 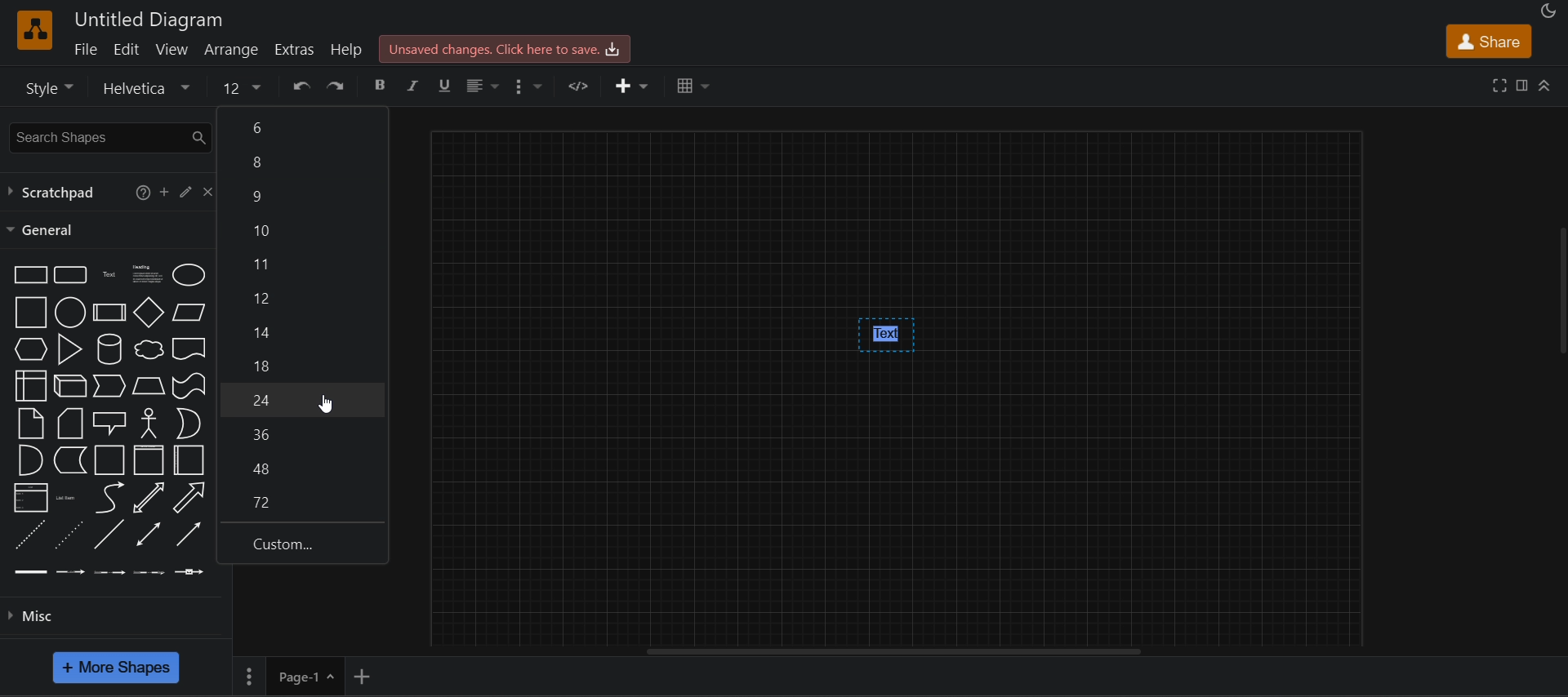 I want to click on view, so click(x=172, y=49).